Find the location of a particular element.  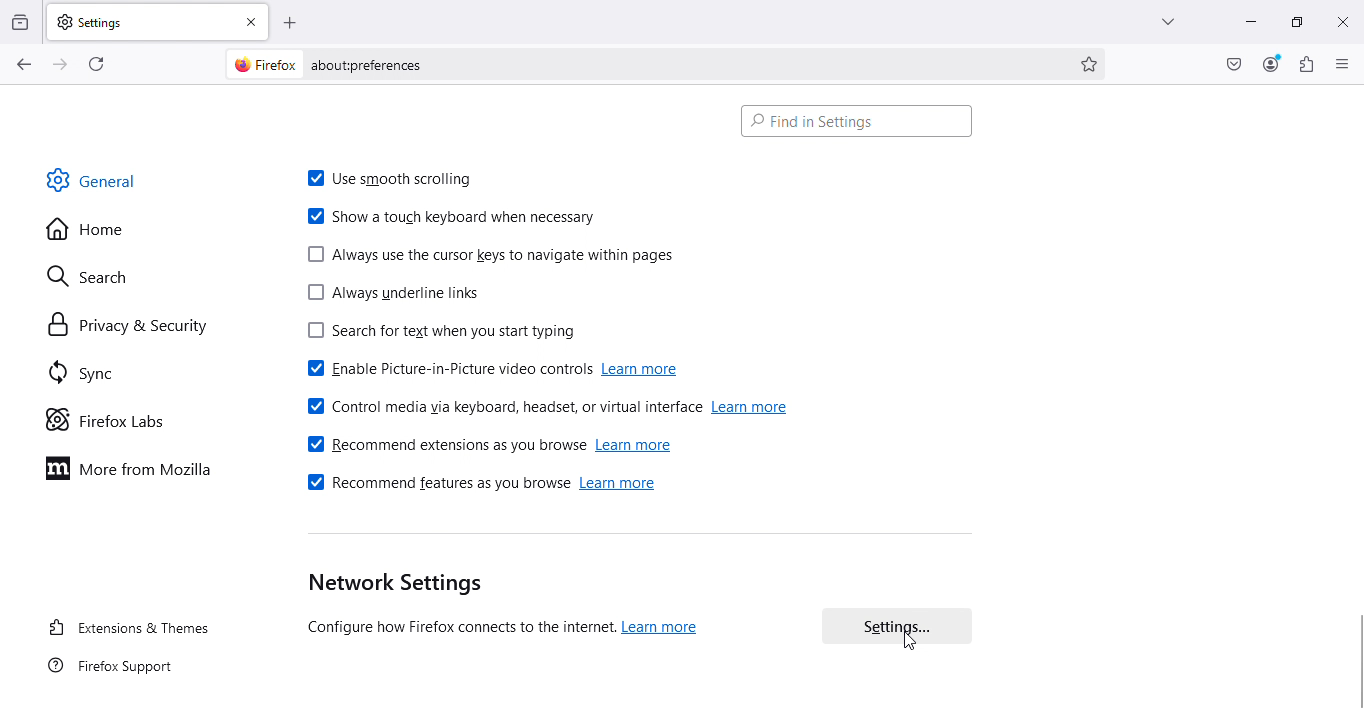

Search for text when you start typing is located at coordinates (435, 334).